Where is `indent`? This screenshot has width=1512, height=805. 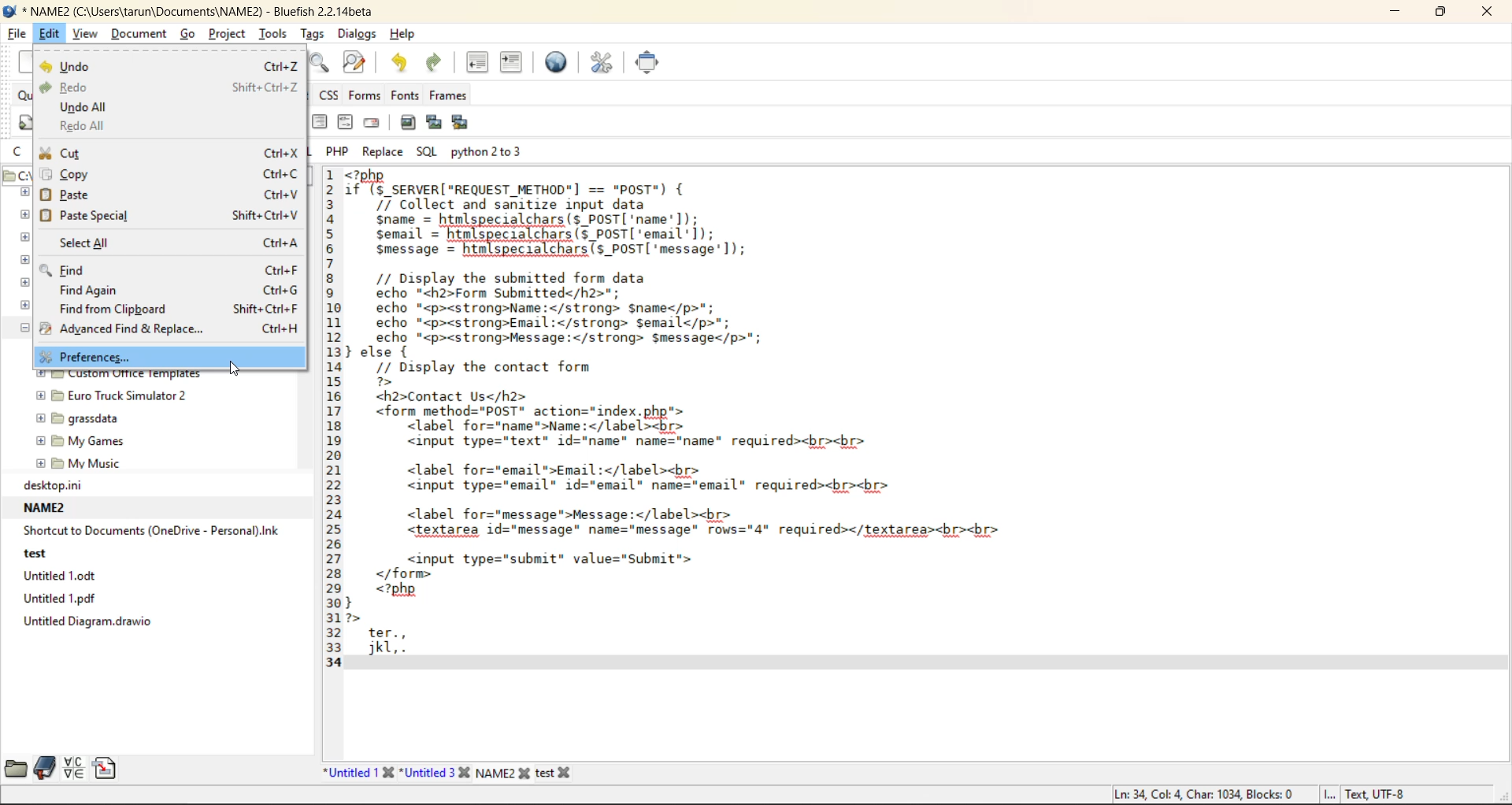 indent is located at coordinates (513, 63).